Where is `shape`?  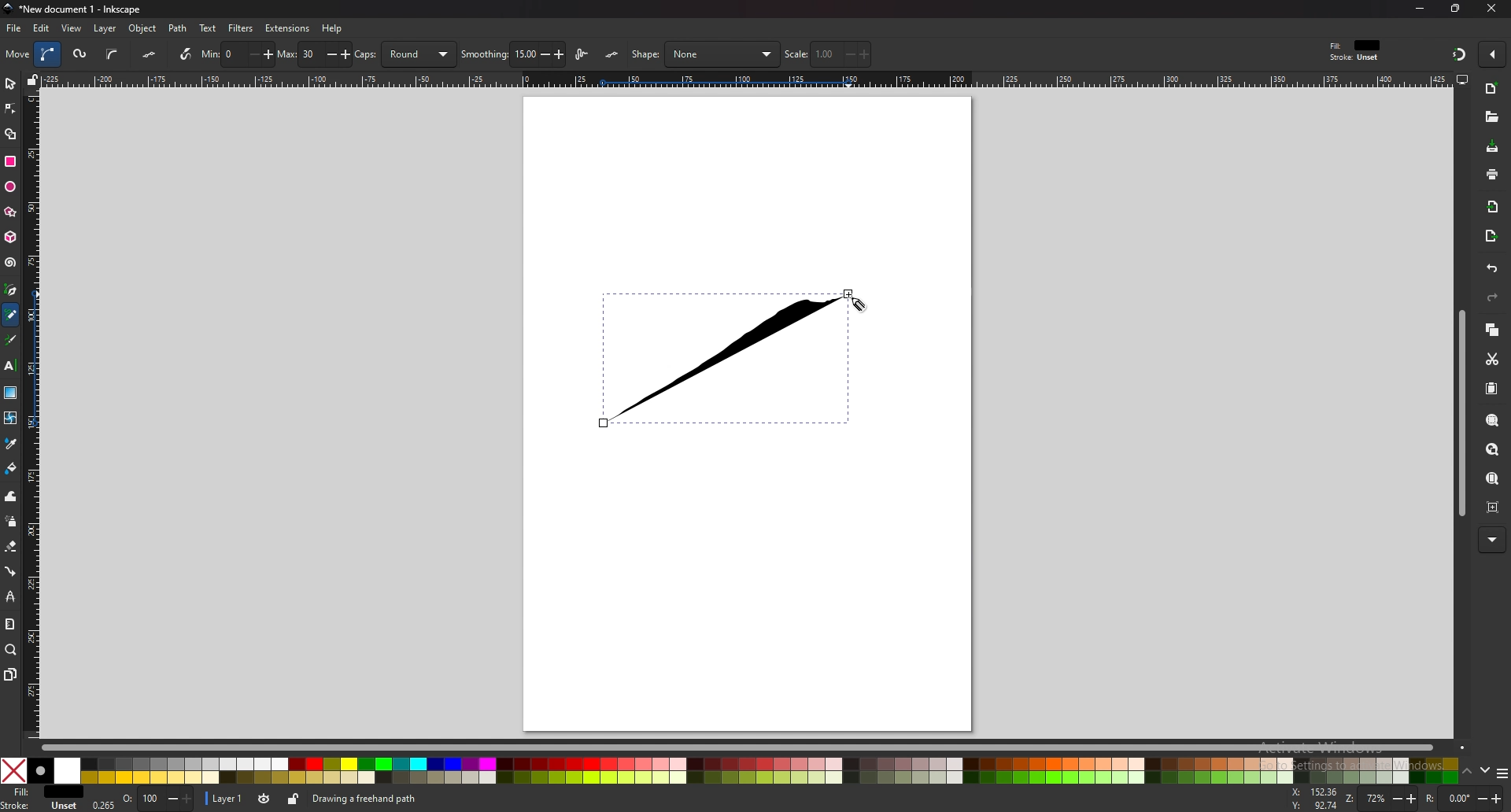
shape is located at coordinates (704, 54).